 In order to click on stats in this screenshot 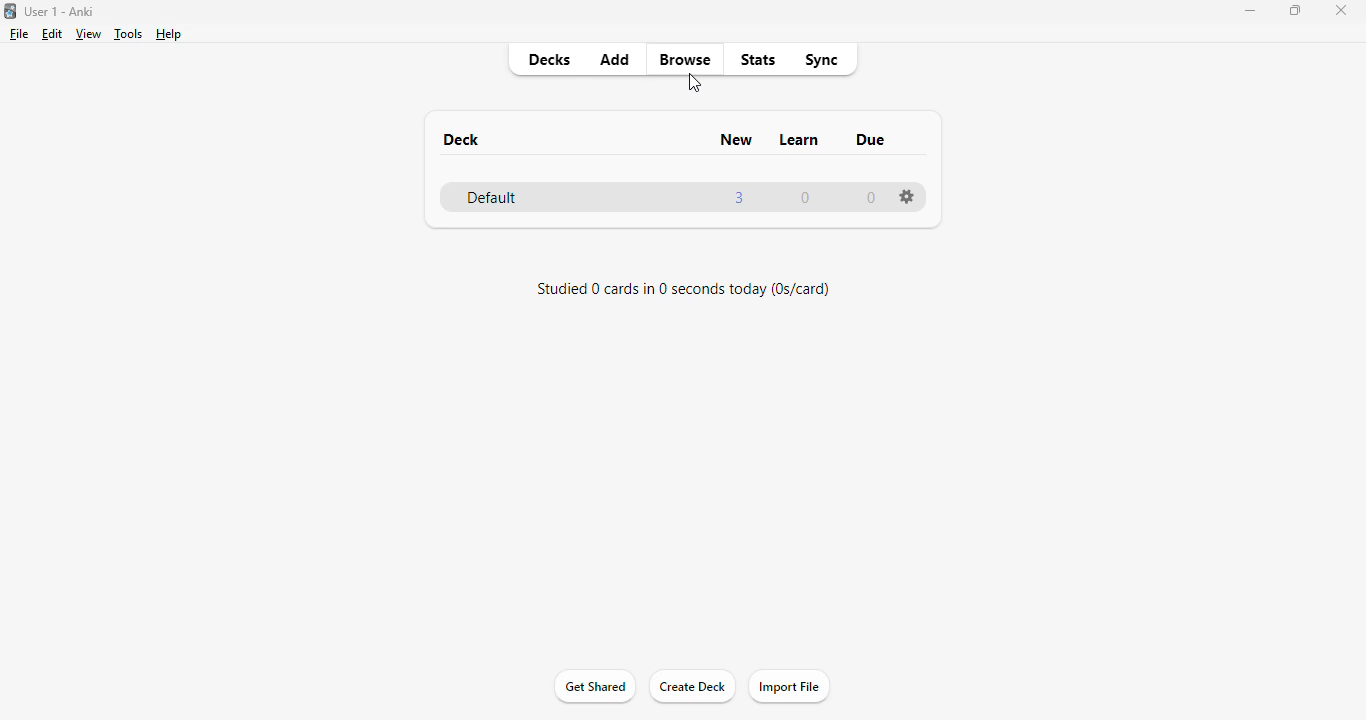, I will do `click(758, 61)`.